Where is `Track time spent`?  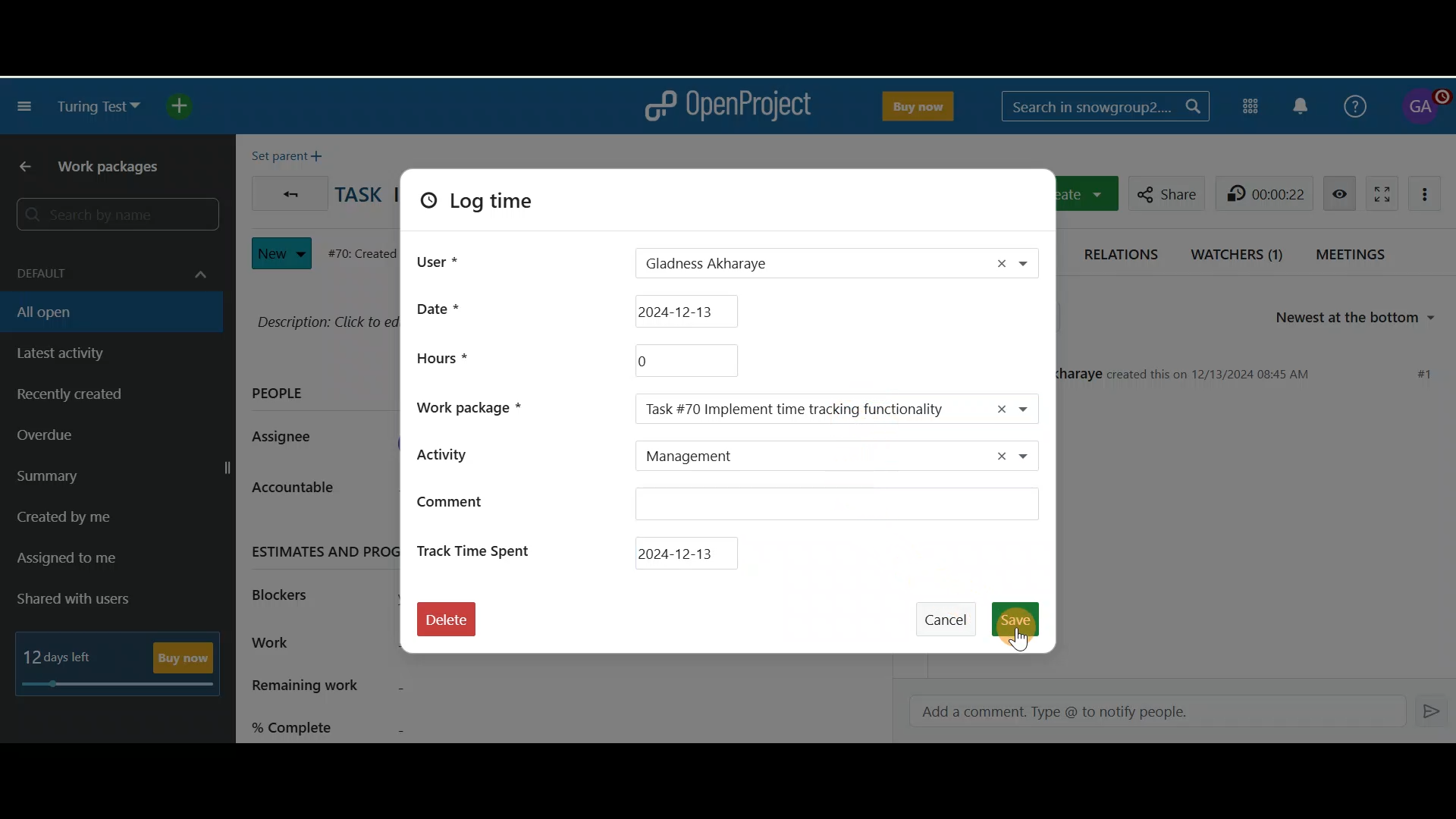
Track time spent is located at coordinates (479, 549).